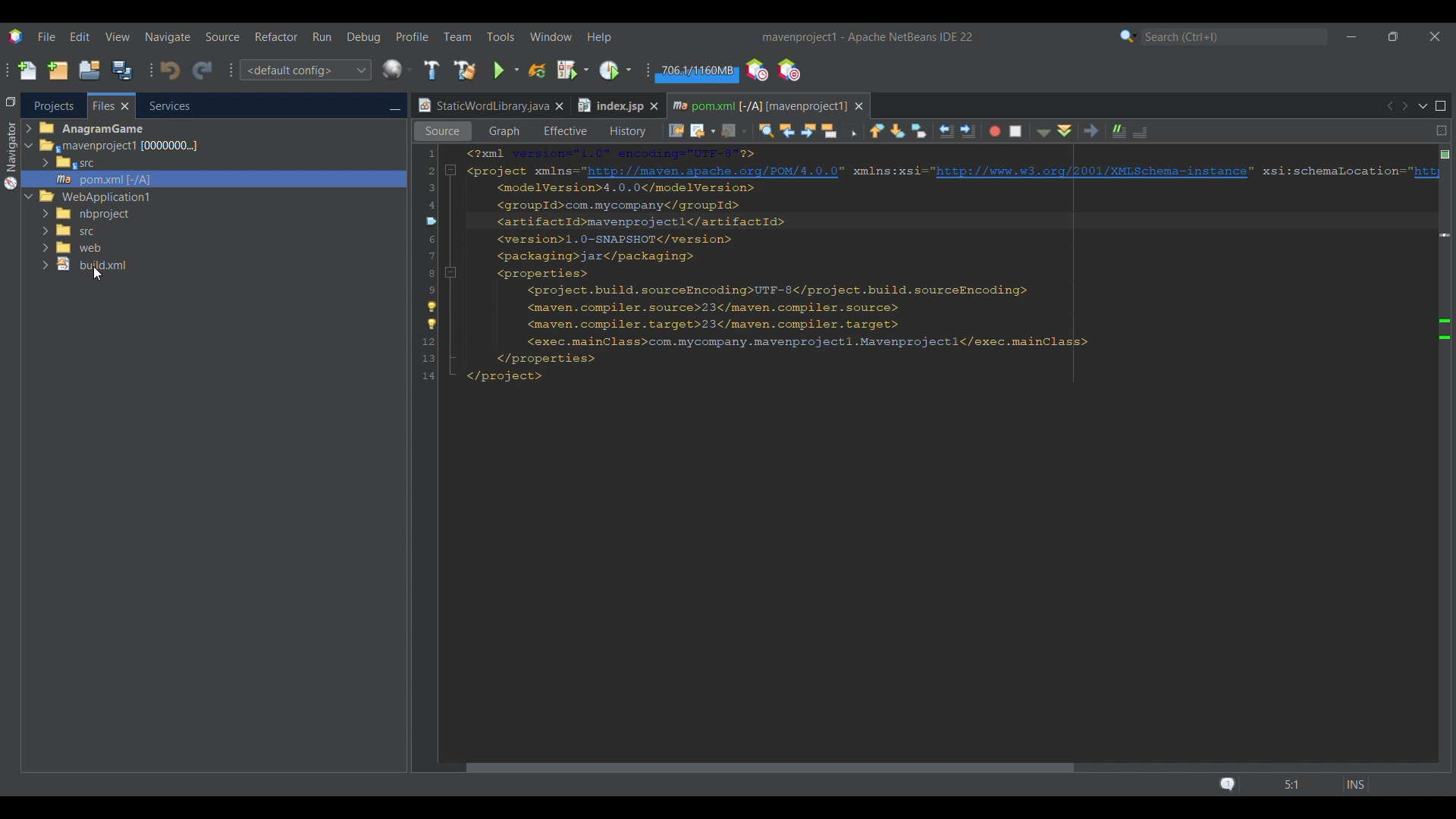  I want to click on Start macro recording, so click(993, 132).